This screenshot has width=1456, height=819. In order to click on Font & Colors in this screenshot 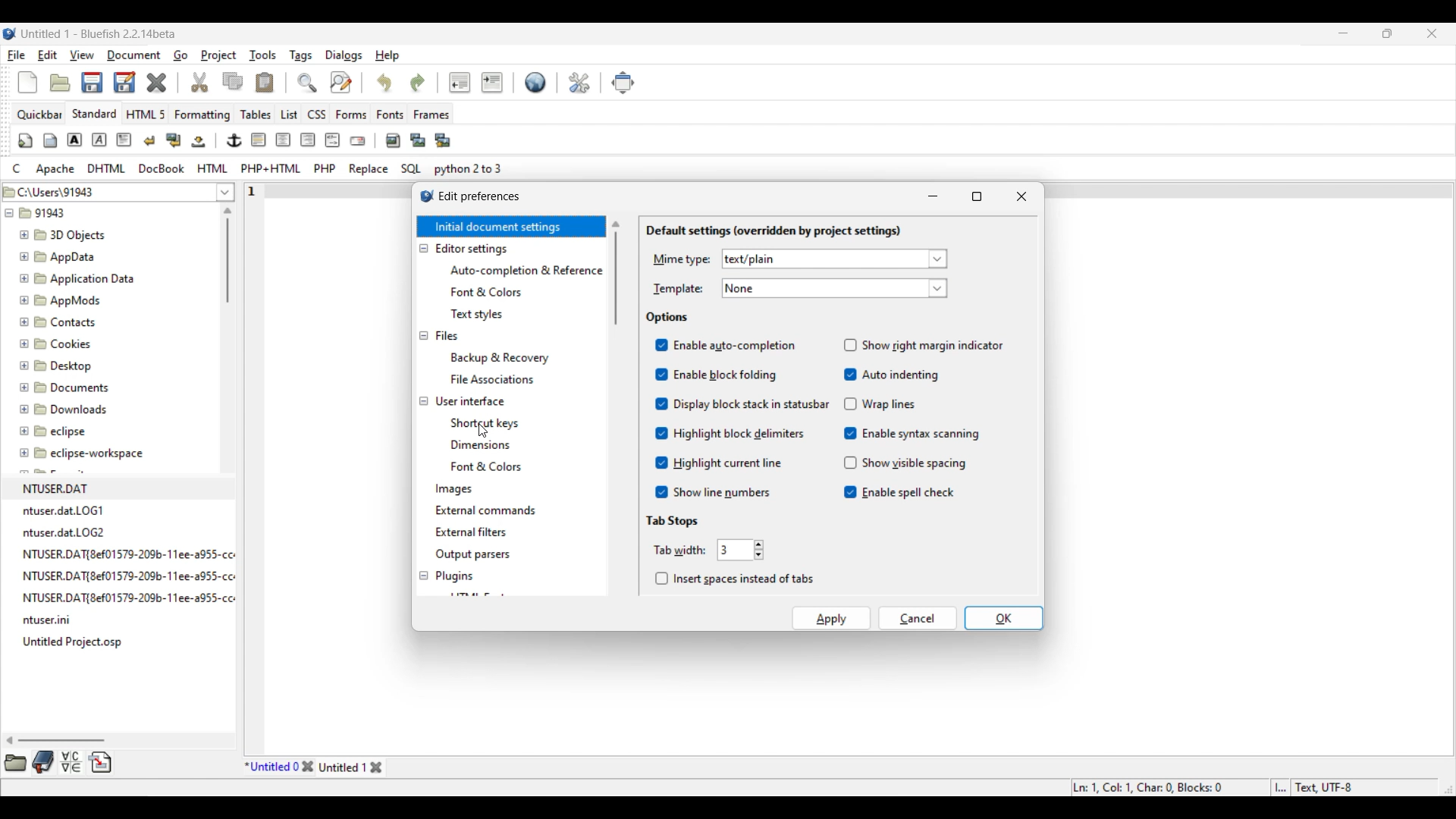, I will do `click(487, 293)`.